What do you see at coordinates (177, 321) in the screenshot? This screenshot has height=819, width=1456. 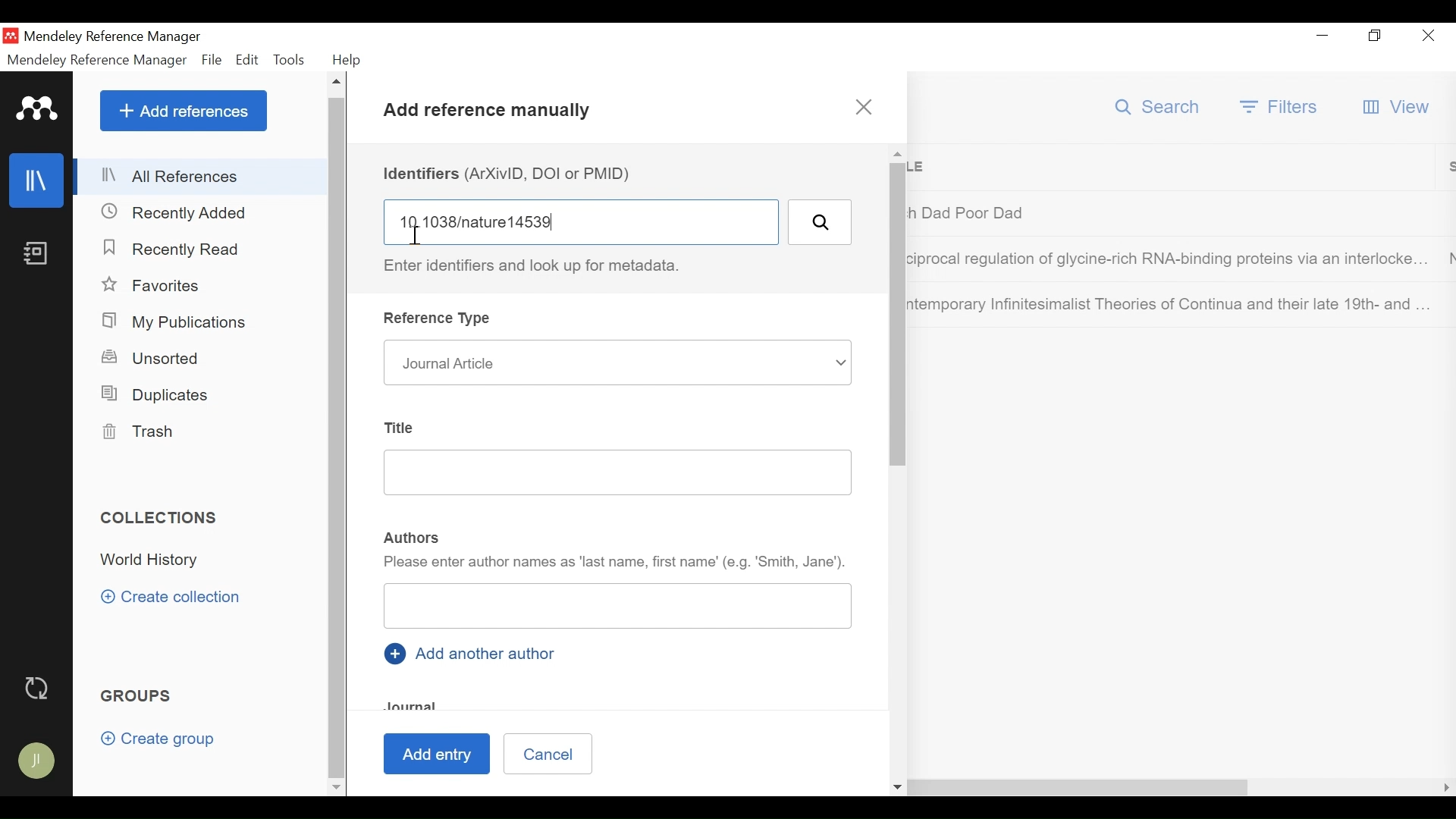 I see `My Publications` at bounding box center [177, 321].